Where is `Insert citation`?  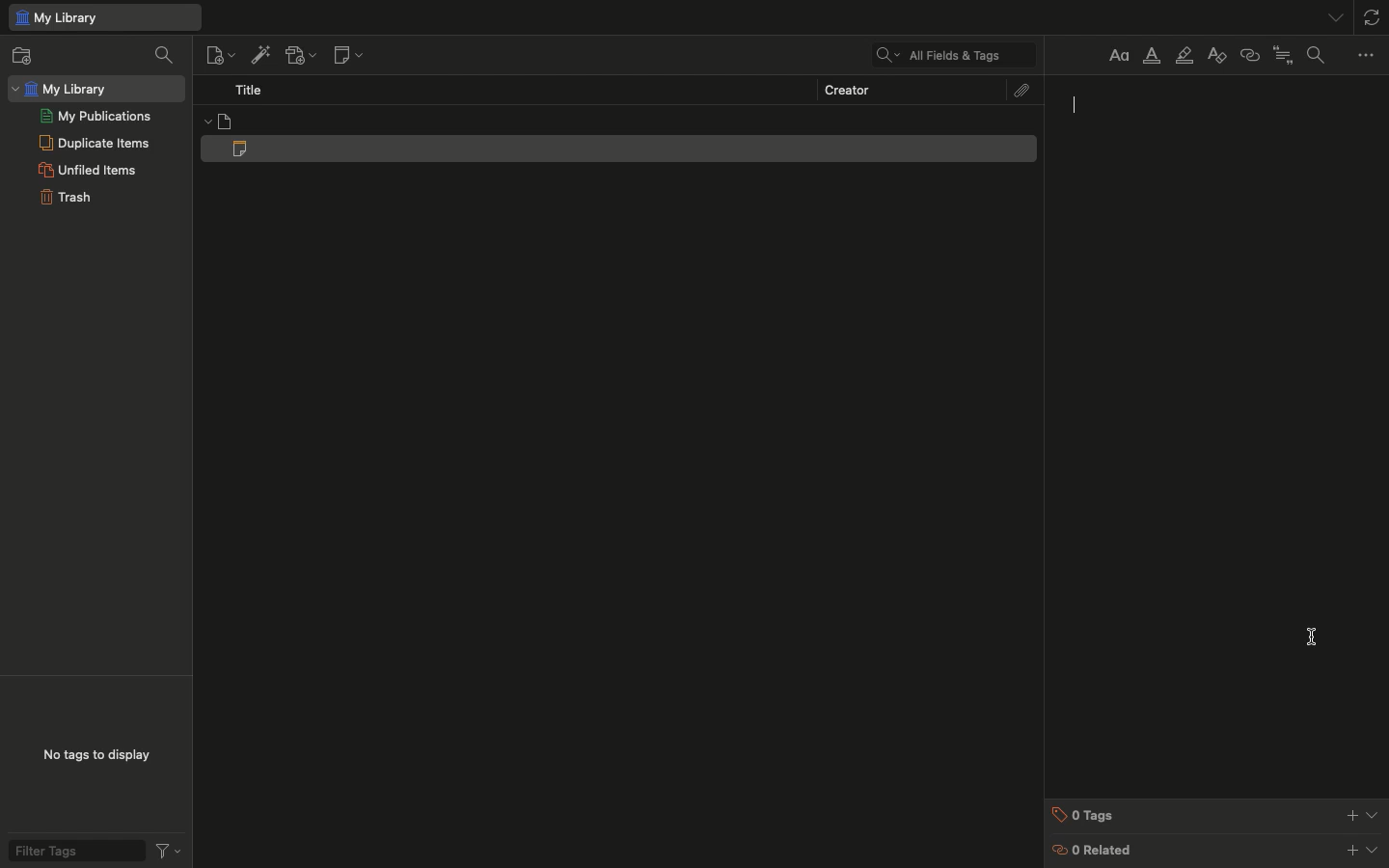
Insert citation is located at coordinates (1284, 55).